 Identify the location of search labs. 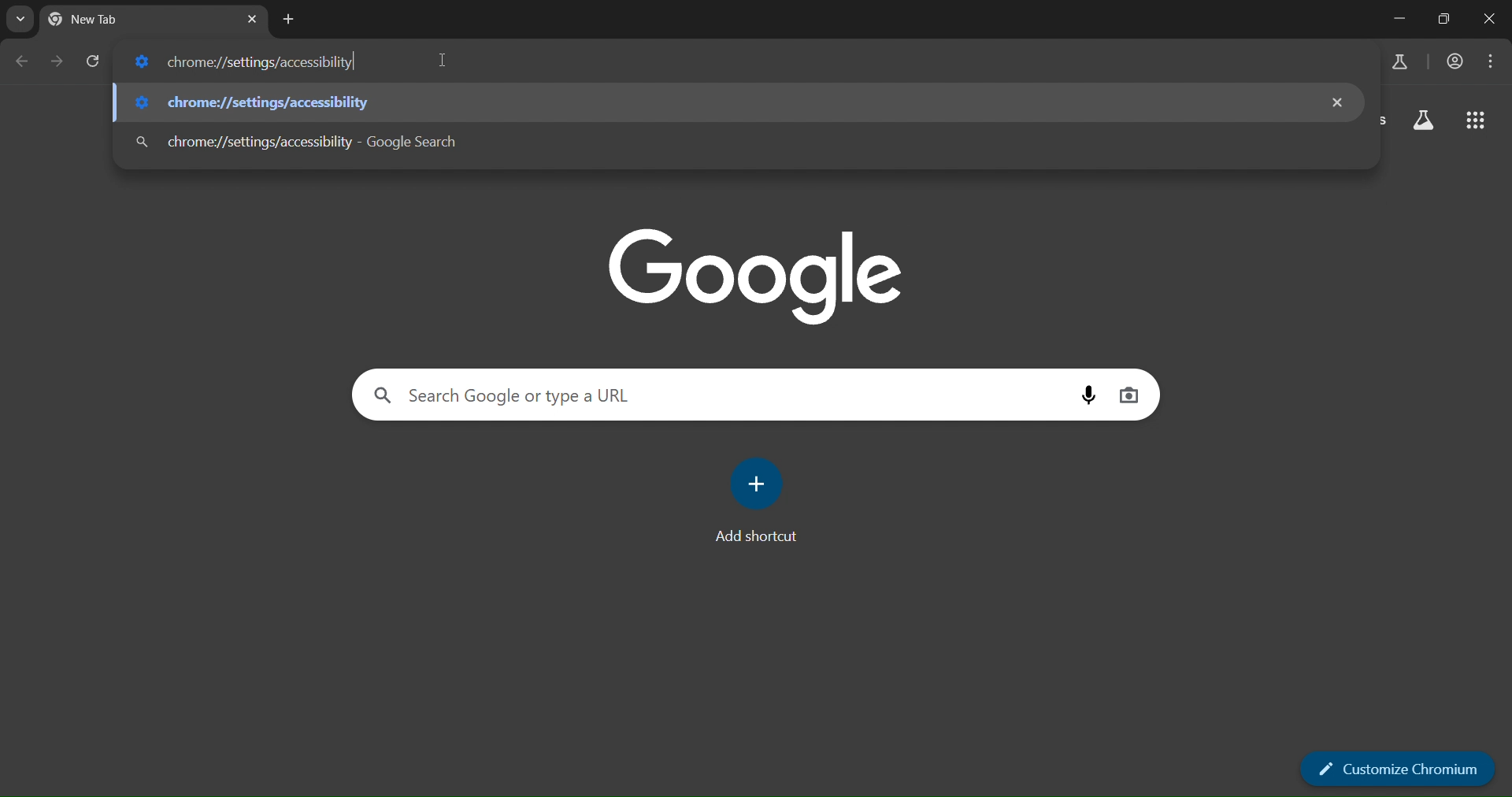
(1398, 61).